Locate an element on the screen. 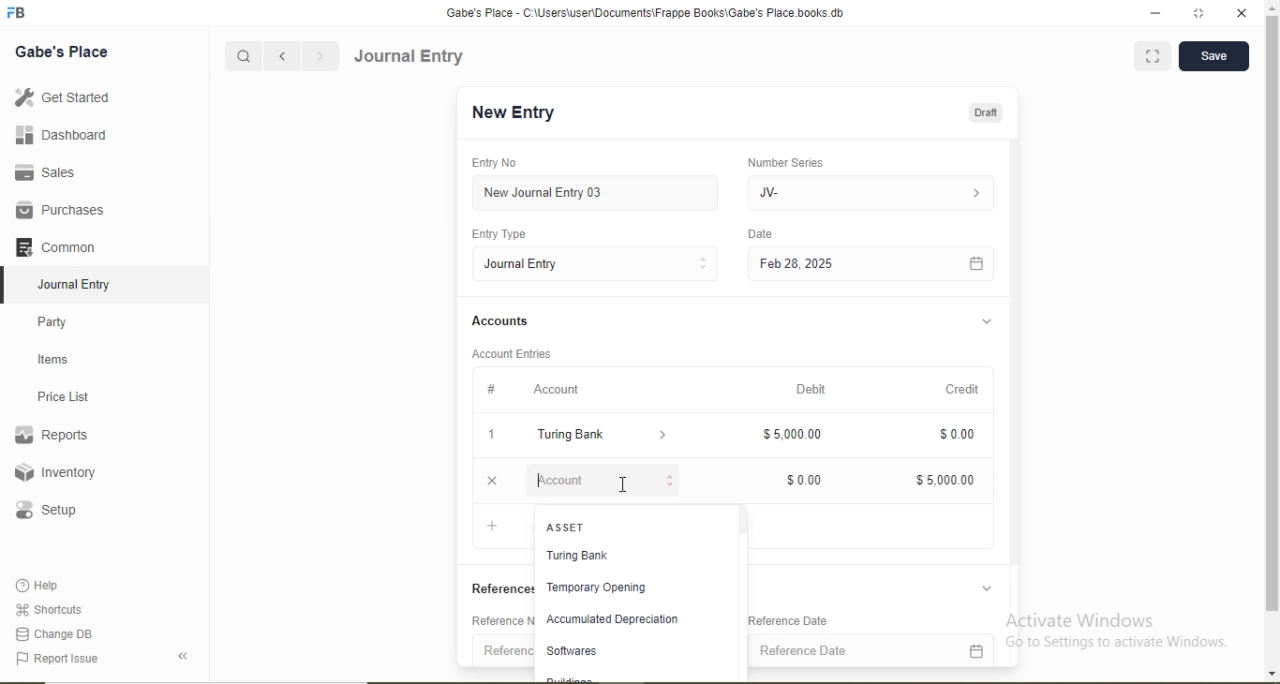 The width and height of the screenshot is (1280, 684). scroll up is located at coordinates (1270, 8).